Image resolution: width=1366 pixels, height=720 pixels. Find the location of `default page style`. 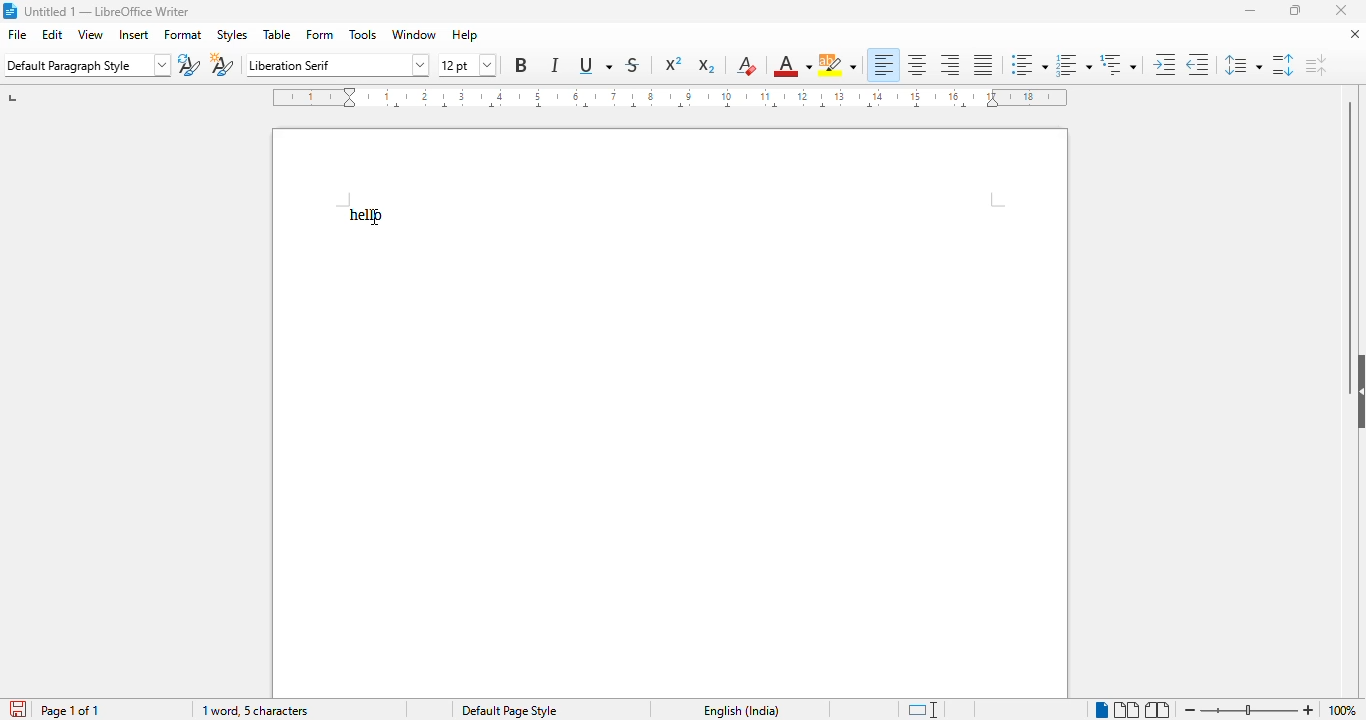

default page style is located at coordinates (510, 711).